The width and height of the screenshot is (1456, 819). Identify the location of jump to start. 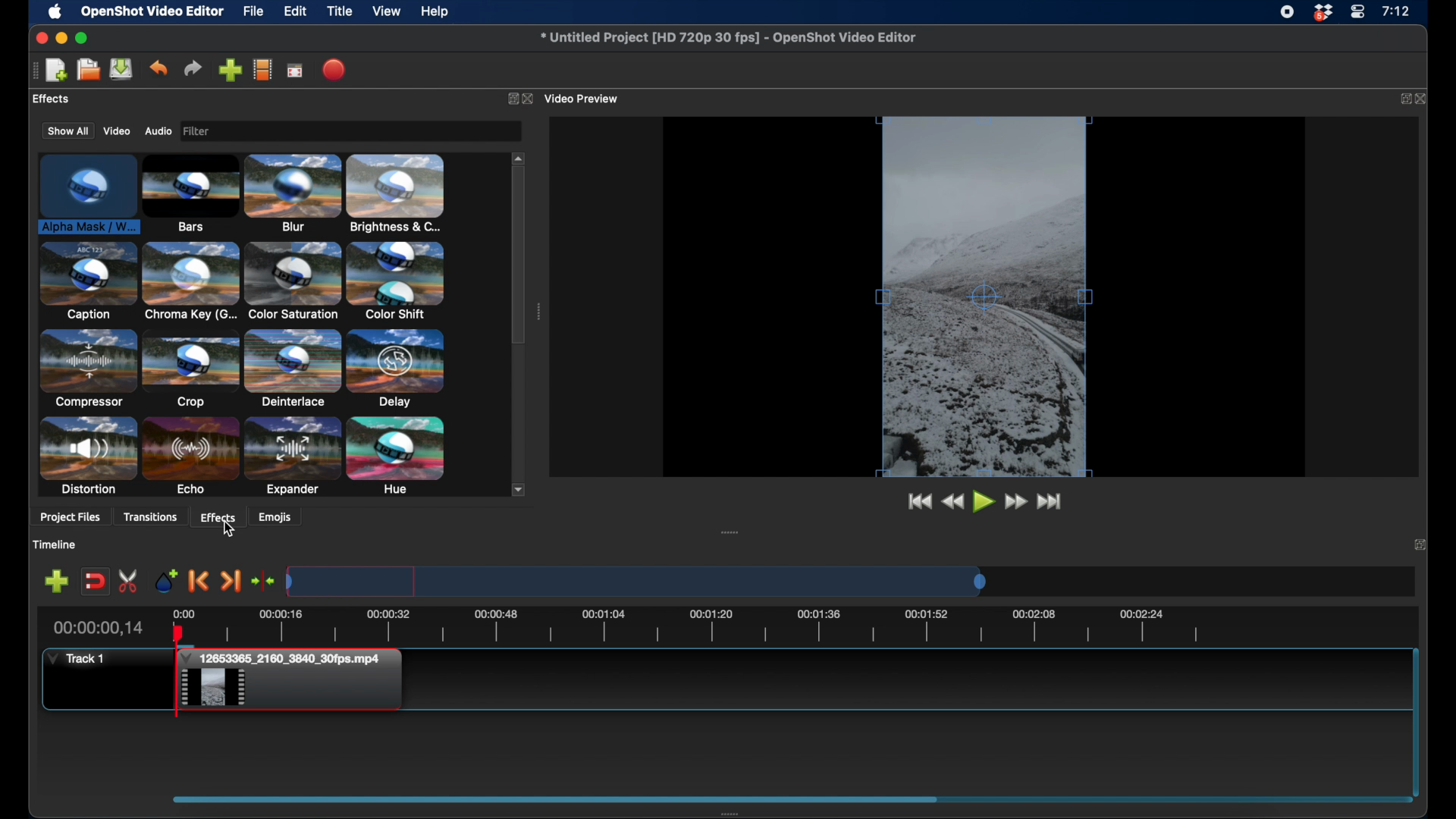
(919, 502).